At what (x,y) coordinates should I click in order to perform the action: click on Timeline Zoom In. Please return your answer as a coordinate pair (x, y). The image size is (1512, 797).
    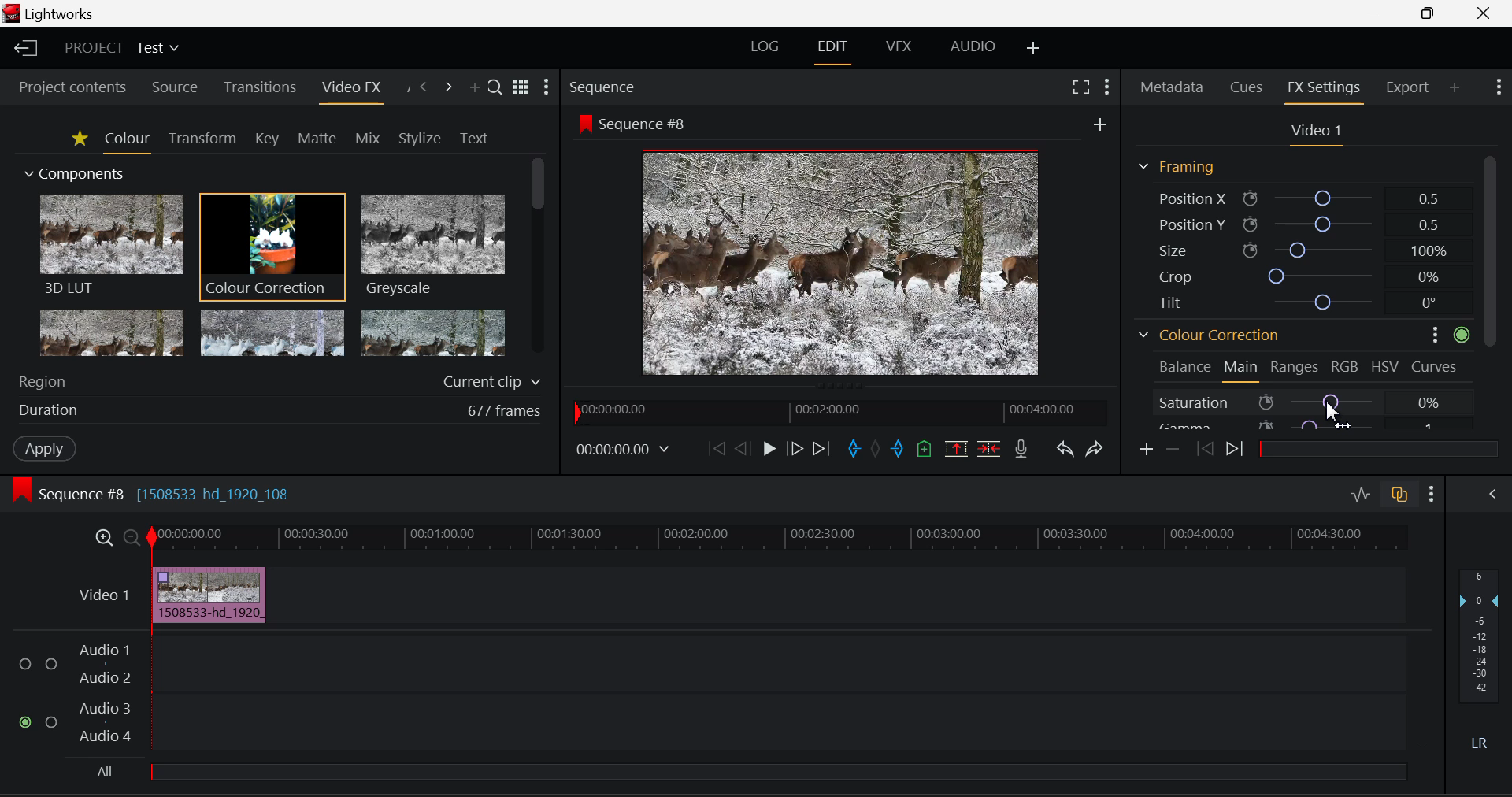
    Looking at the image, I should click on (103, 539).